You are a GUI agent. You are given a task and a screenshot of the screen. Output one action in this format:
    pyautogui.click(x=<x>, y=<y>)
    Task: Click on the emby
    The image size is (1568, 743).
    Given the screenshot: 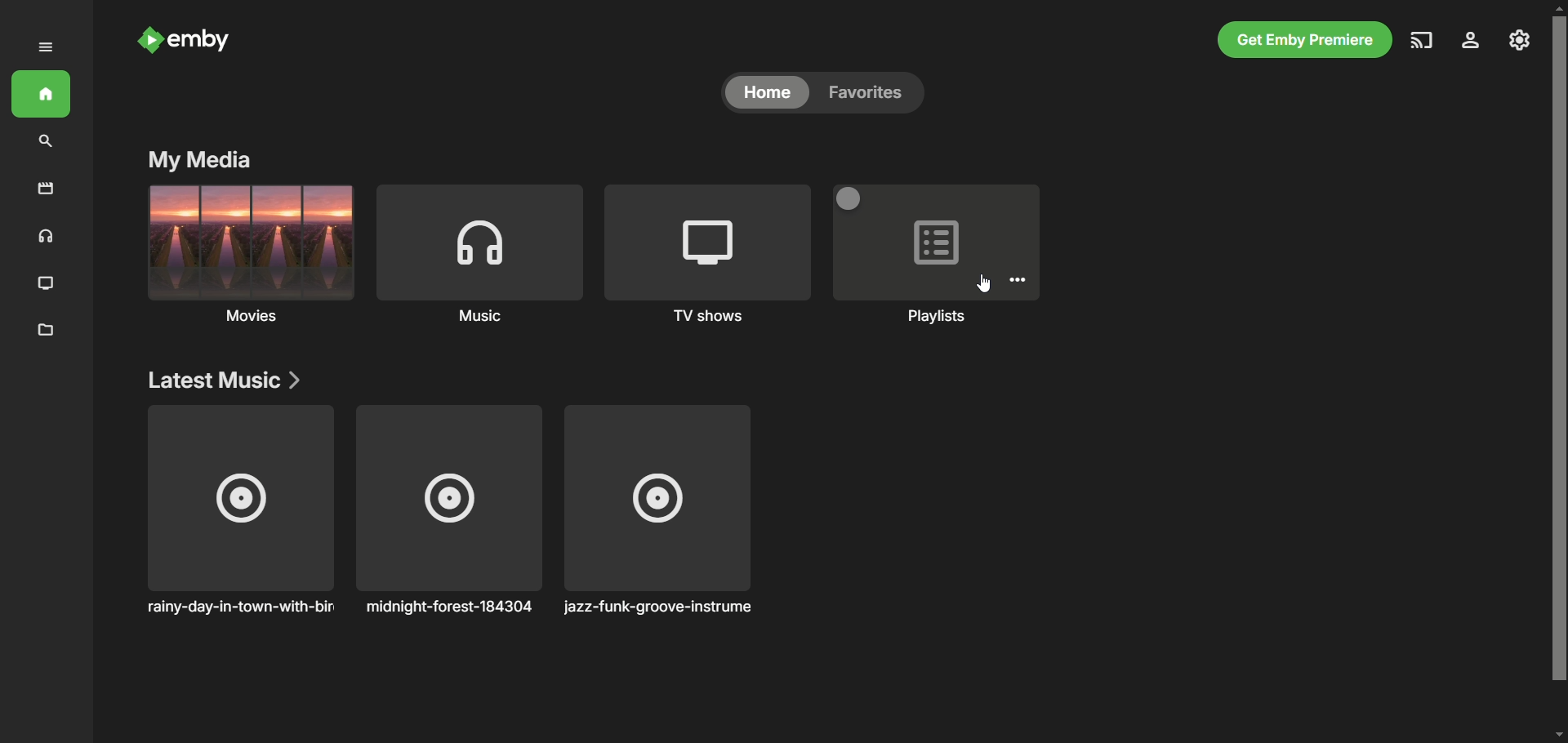 What is the action you would take?
    pyautogui.click(x=202, y=42)
    